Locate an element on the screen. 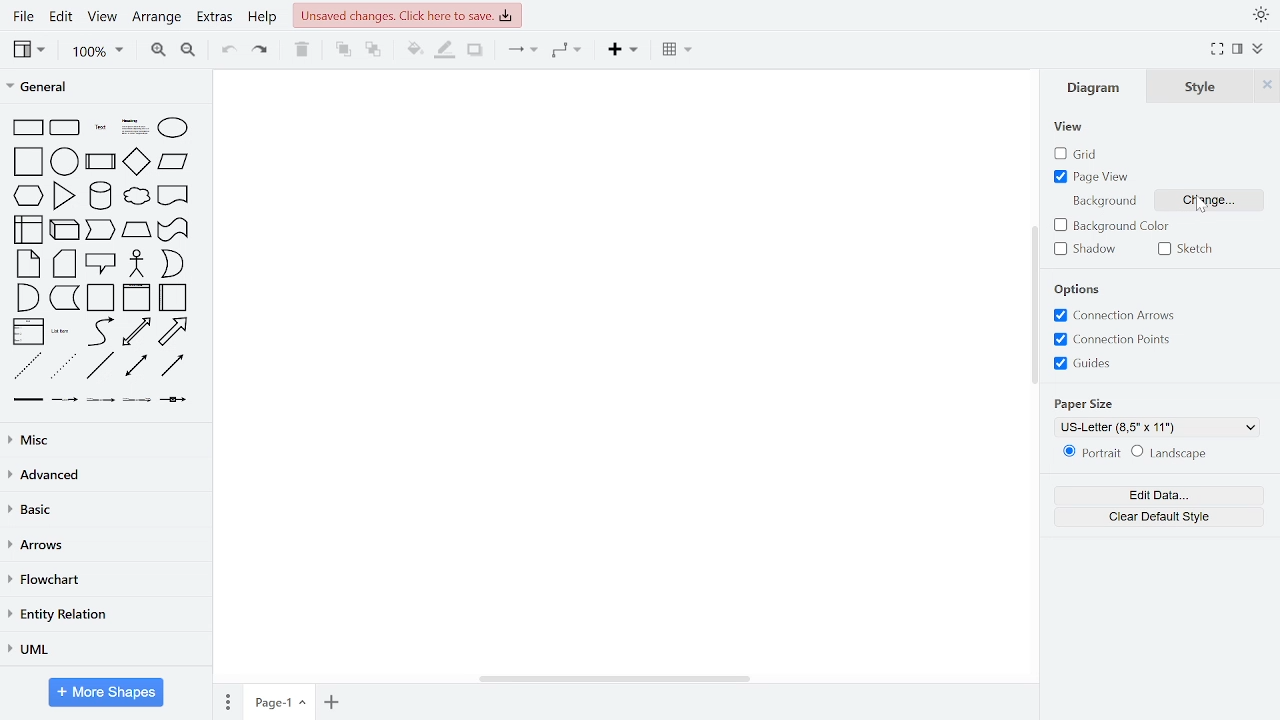 The width and height of the screenshot is (1280, 720). advanced is located at coordinates (104, 474).